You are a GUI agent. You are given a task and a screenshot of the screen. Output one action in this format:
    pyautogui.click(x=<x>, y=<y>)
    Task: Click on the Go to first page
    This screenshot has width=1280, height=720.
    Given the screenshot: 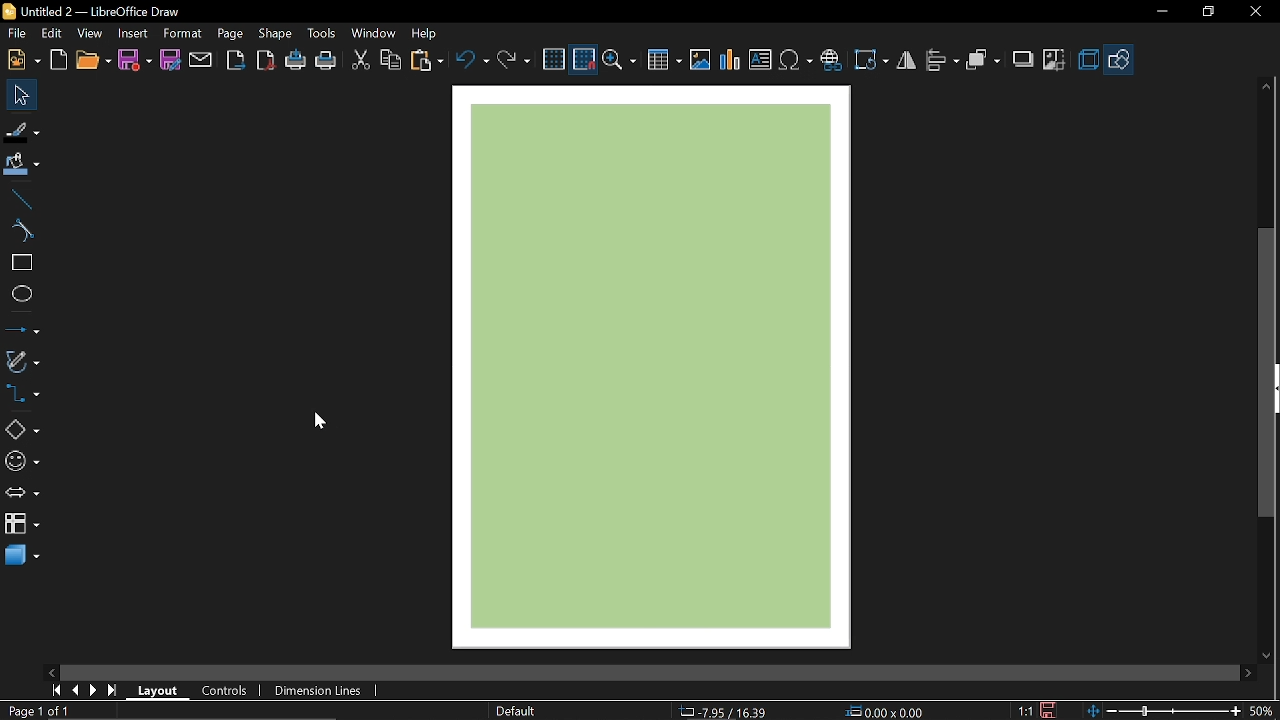 What is the action you would take?
    pyautogui.click(x=58, y=691)
    